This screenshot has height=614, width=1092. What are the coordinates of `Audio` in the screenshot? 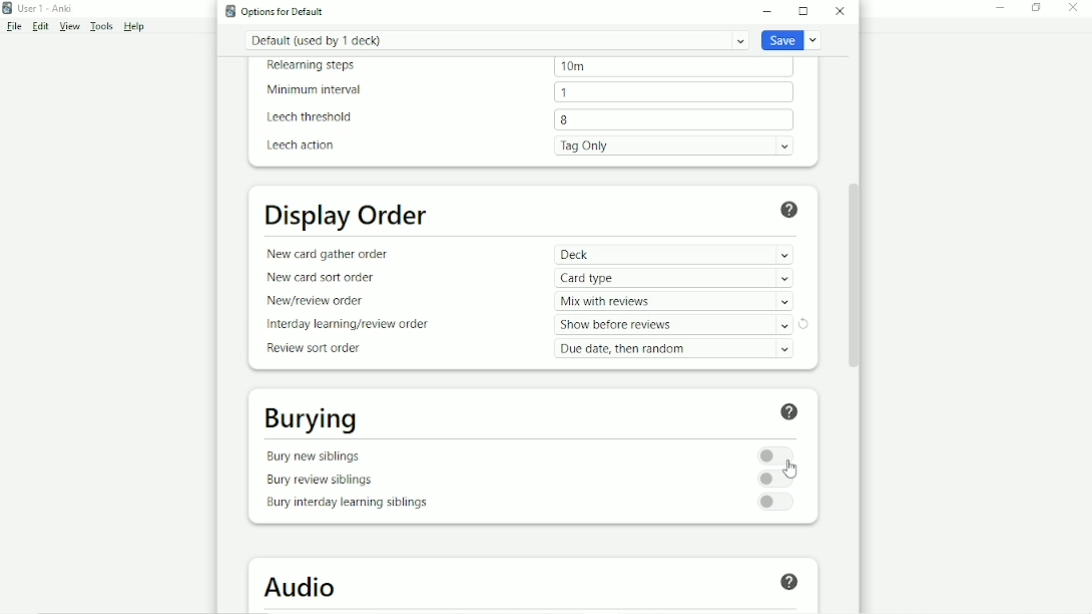 It's located at (305, 587).